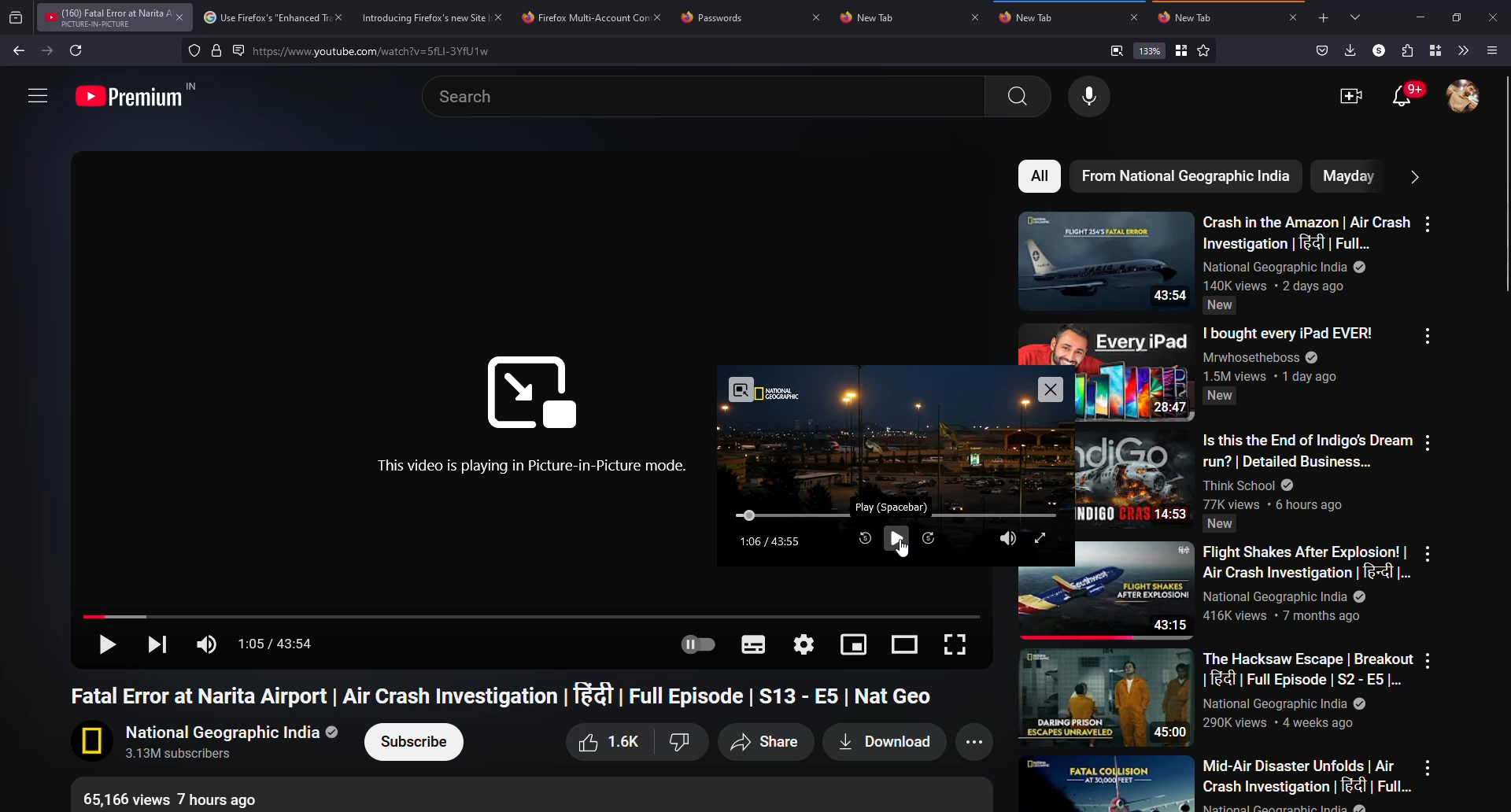  What do you see at coordinates (806, 643) in the screenshot?
I see `settings` at bounding box center [806, 643].